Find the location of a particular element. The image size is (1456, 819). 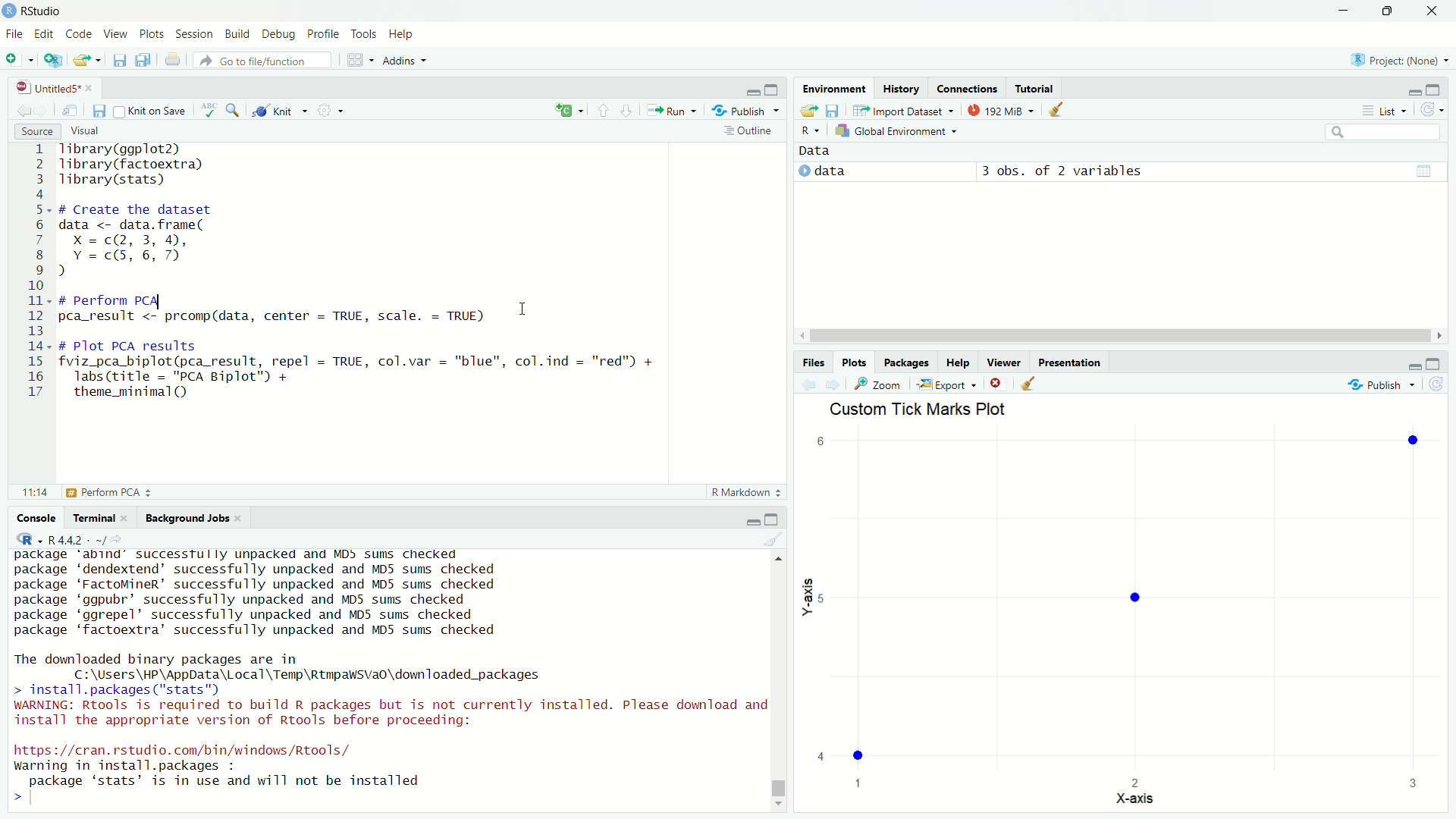

terminal is located at coordinates (100, 518).